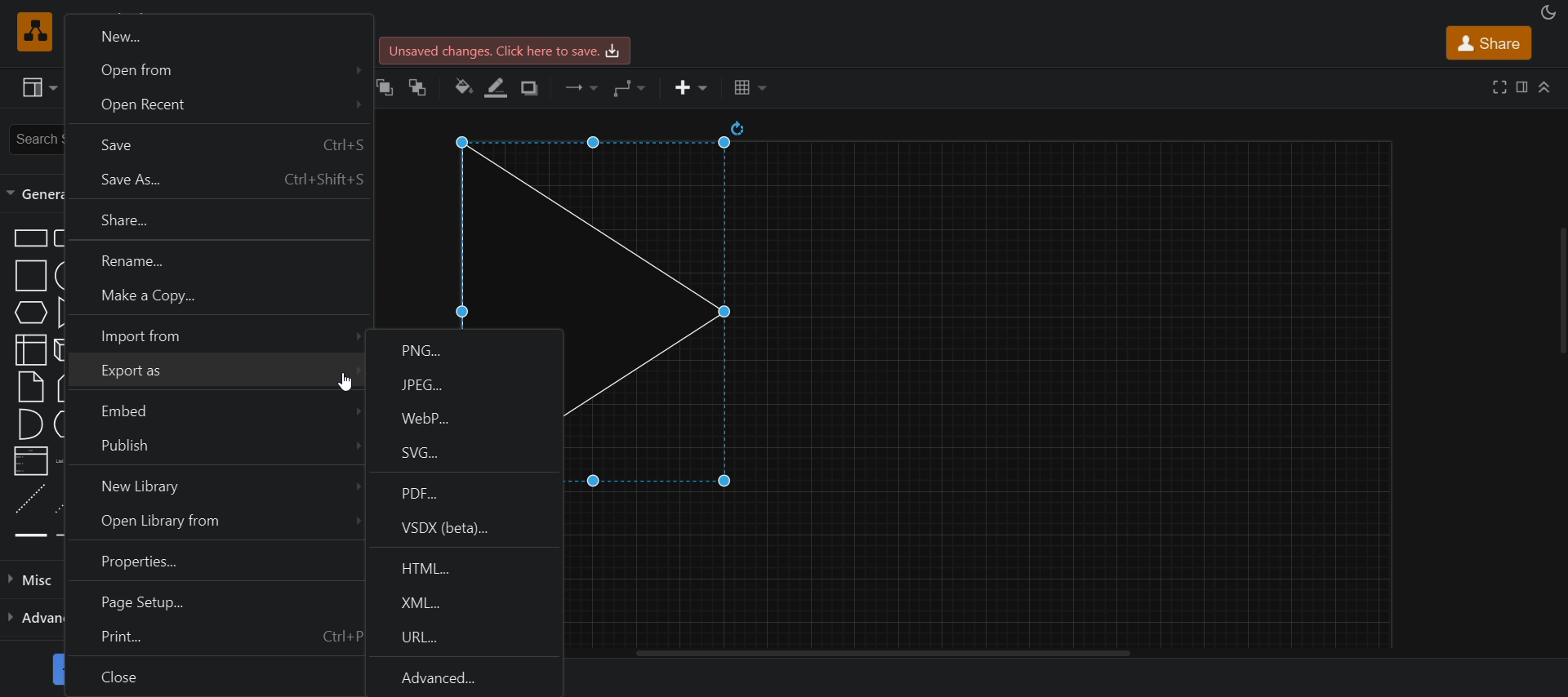  Describe the element at coordinates (212, 411) in the screenshot. I see `embed` at that location.